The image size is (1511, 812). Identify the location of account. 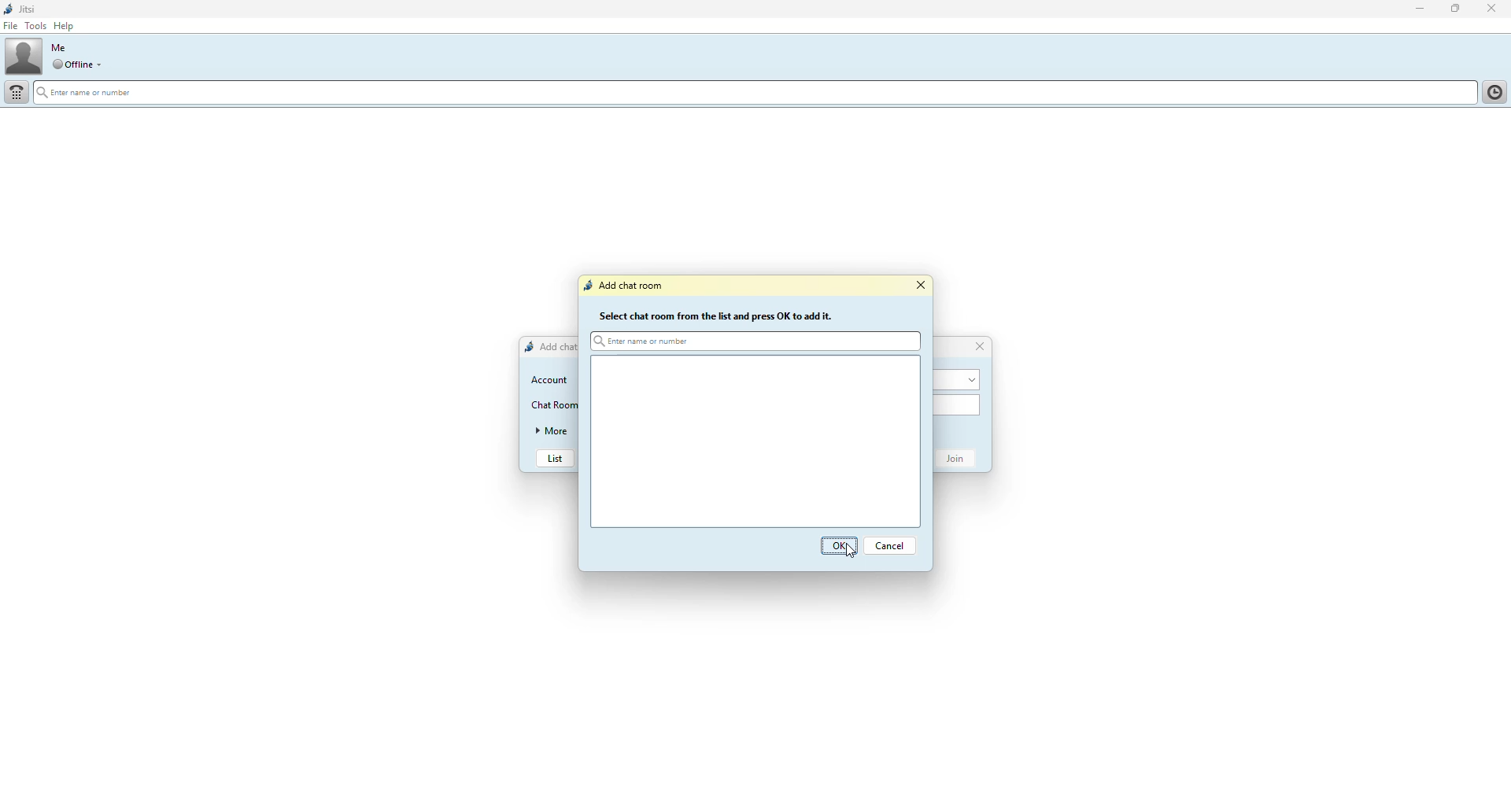
(959, 378).